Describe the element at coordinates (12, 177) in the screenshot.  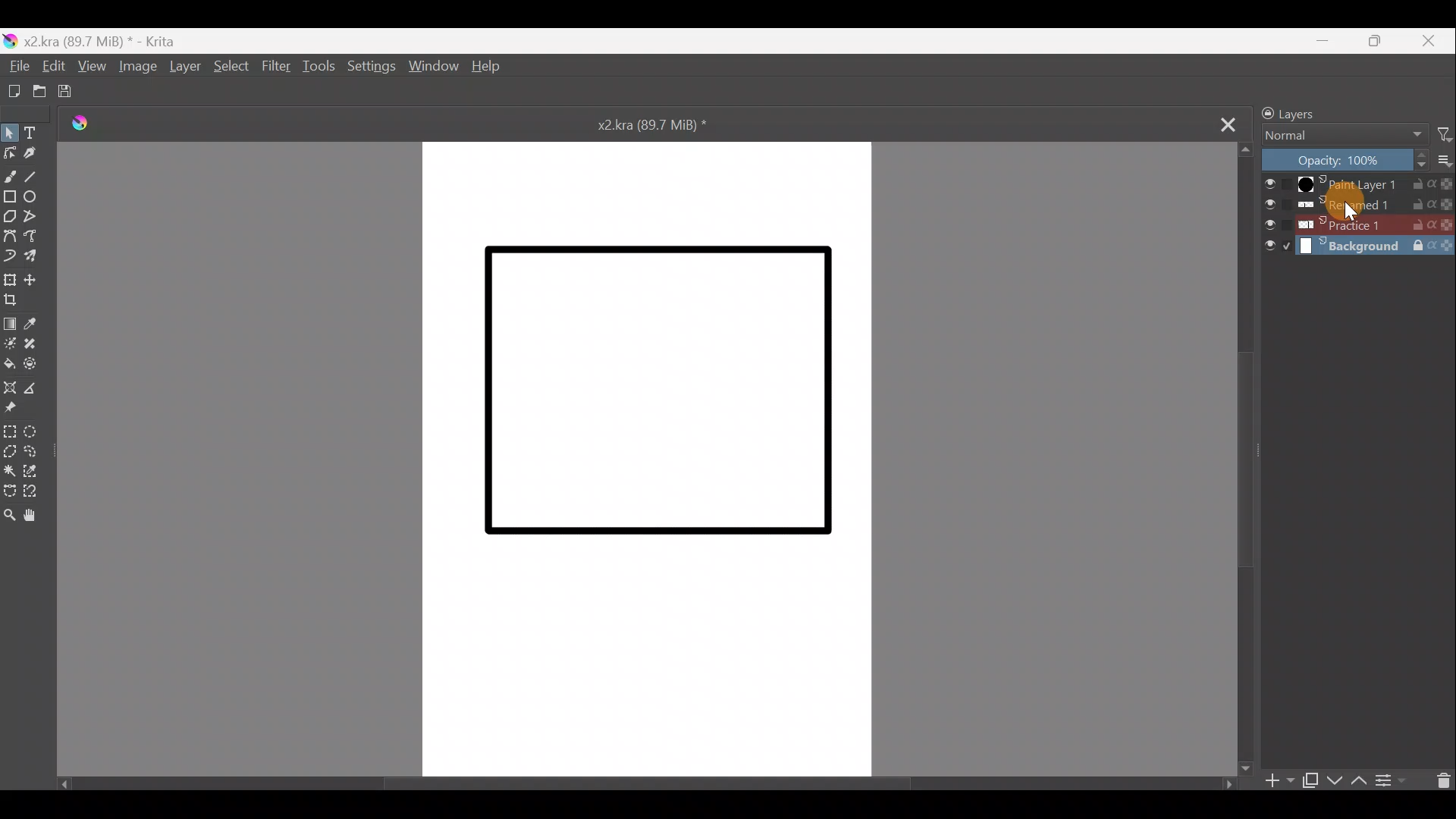
I see `Freehand brush tool` at that location.